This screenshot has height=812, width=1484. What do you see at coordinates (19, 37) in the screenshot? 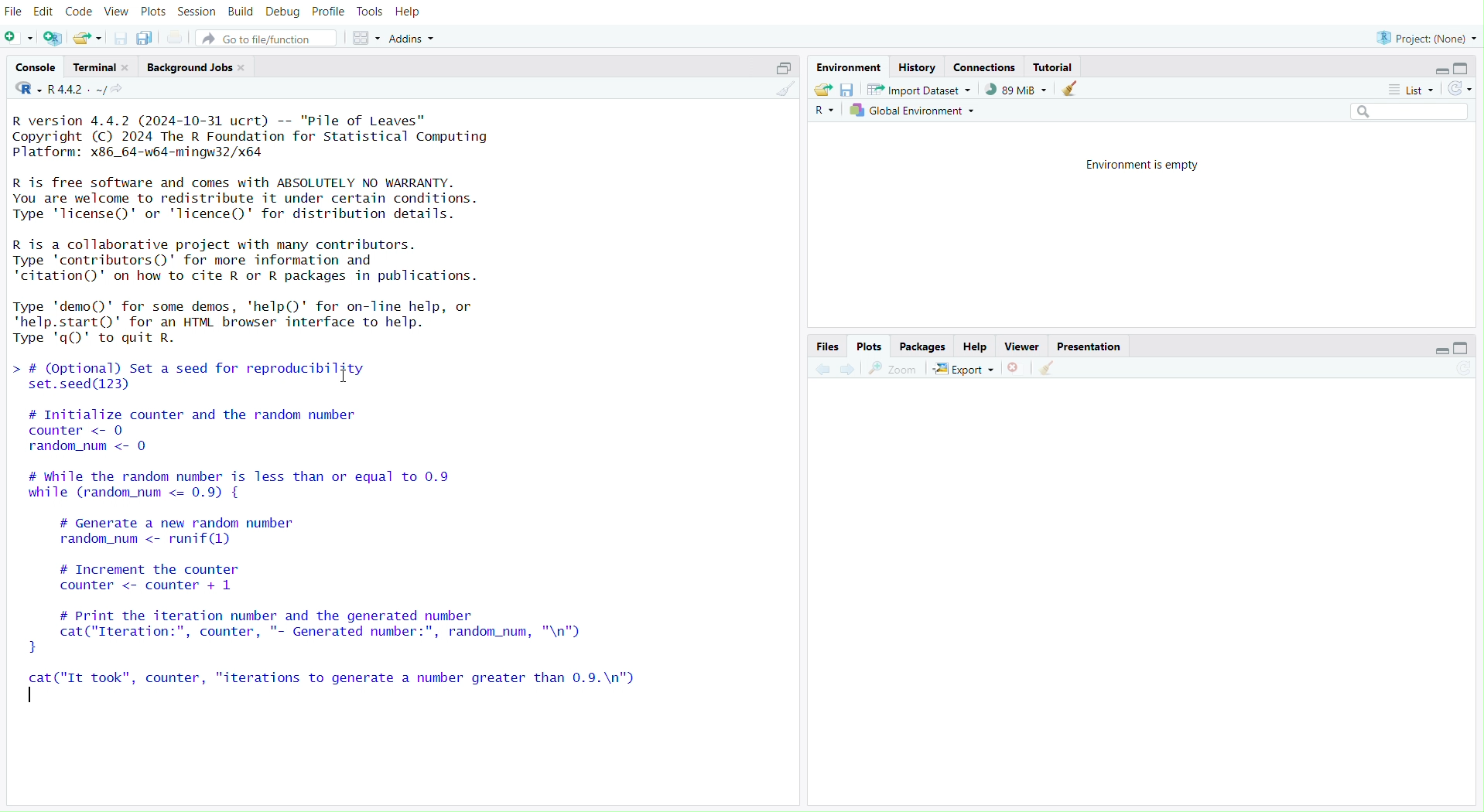
I see `New File` at bounding box center [19, 37].